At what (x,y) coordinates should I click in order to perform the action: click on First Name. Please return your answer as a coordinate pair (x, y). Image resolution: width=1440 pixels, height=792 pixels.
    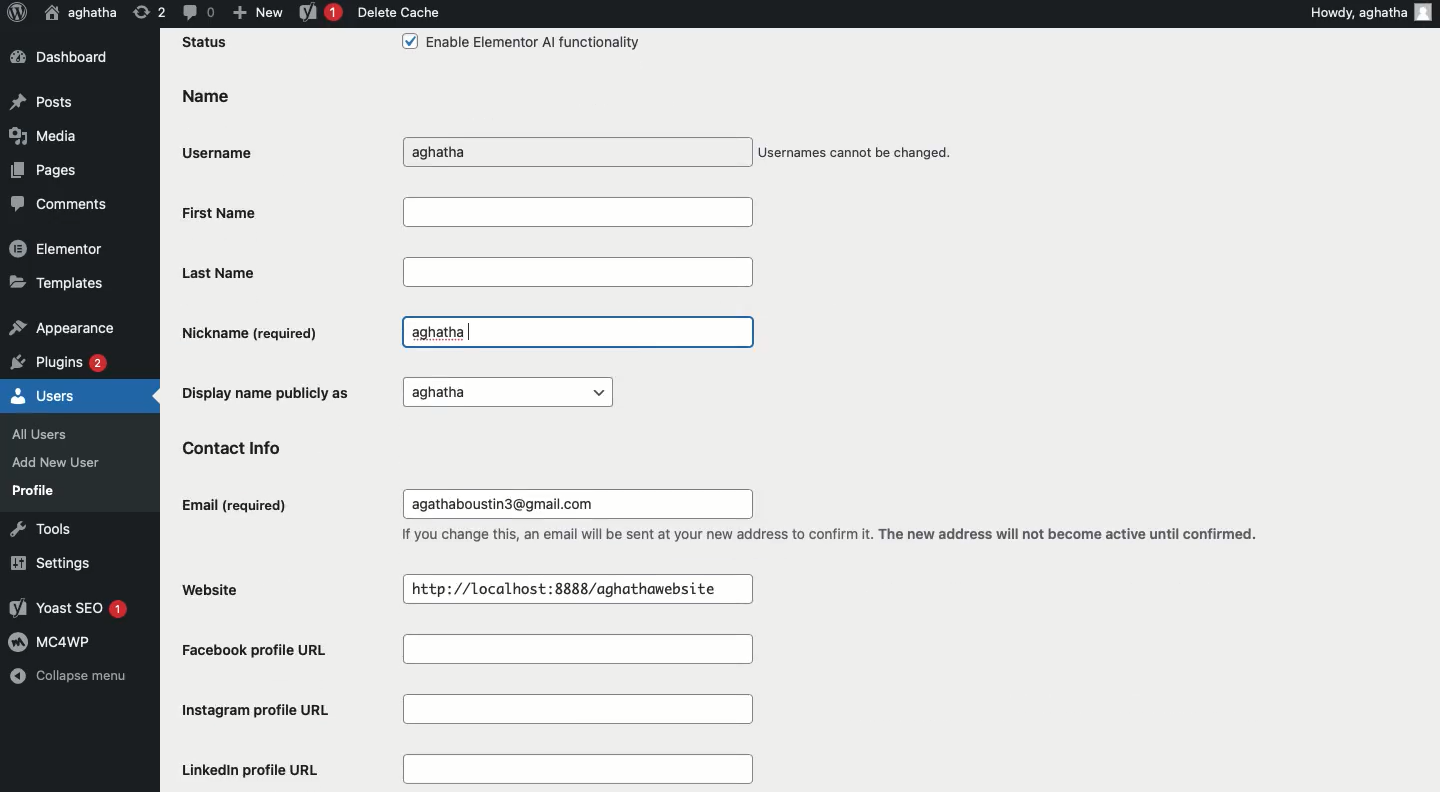
    Looking at the image, I should click on (465, 211).